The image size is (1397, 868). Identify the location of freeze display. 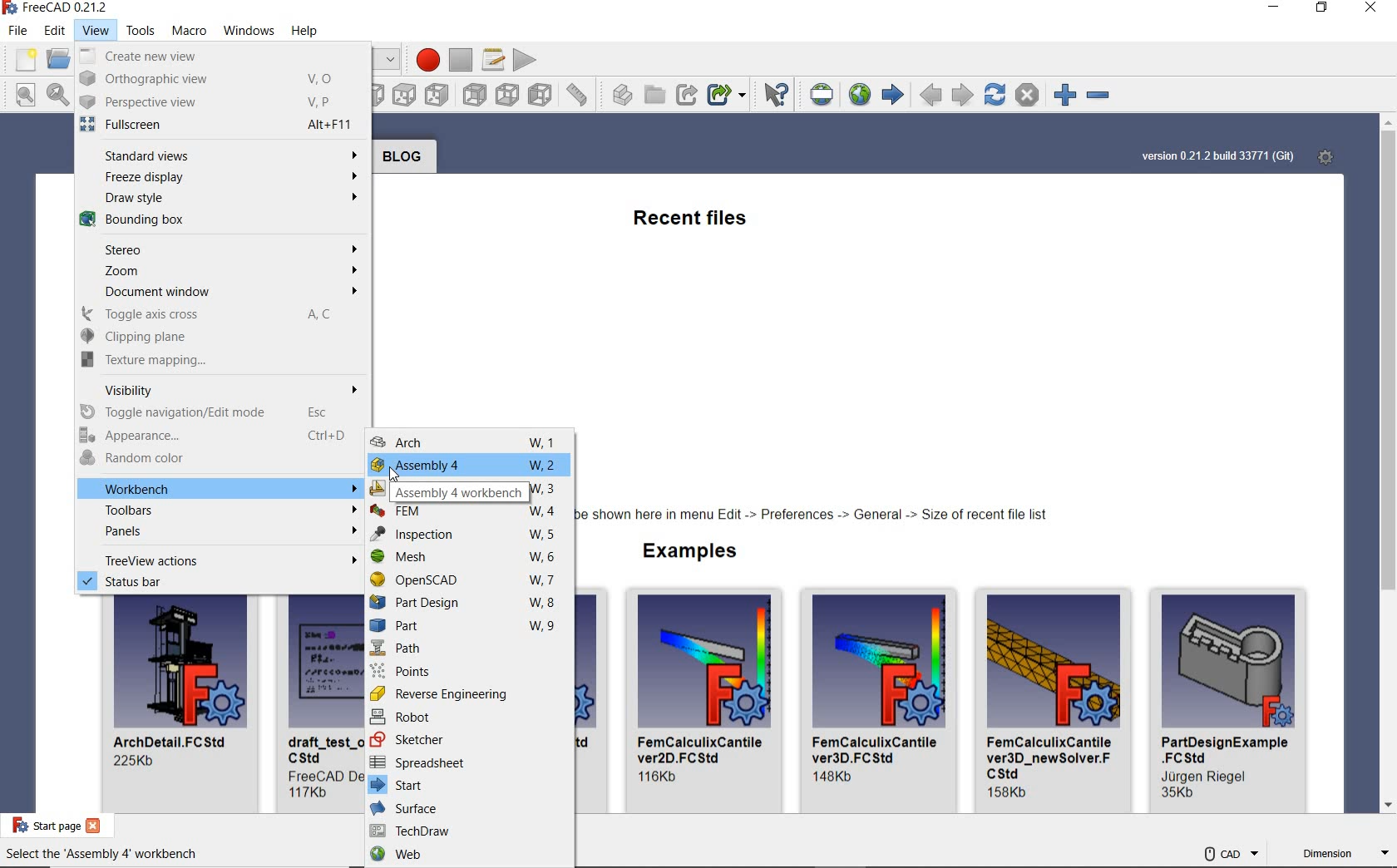
(220, 176).